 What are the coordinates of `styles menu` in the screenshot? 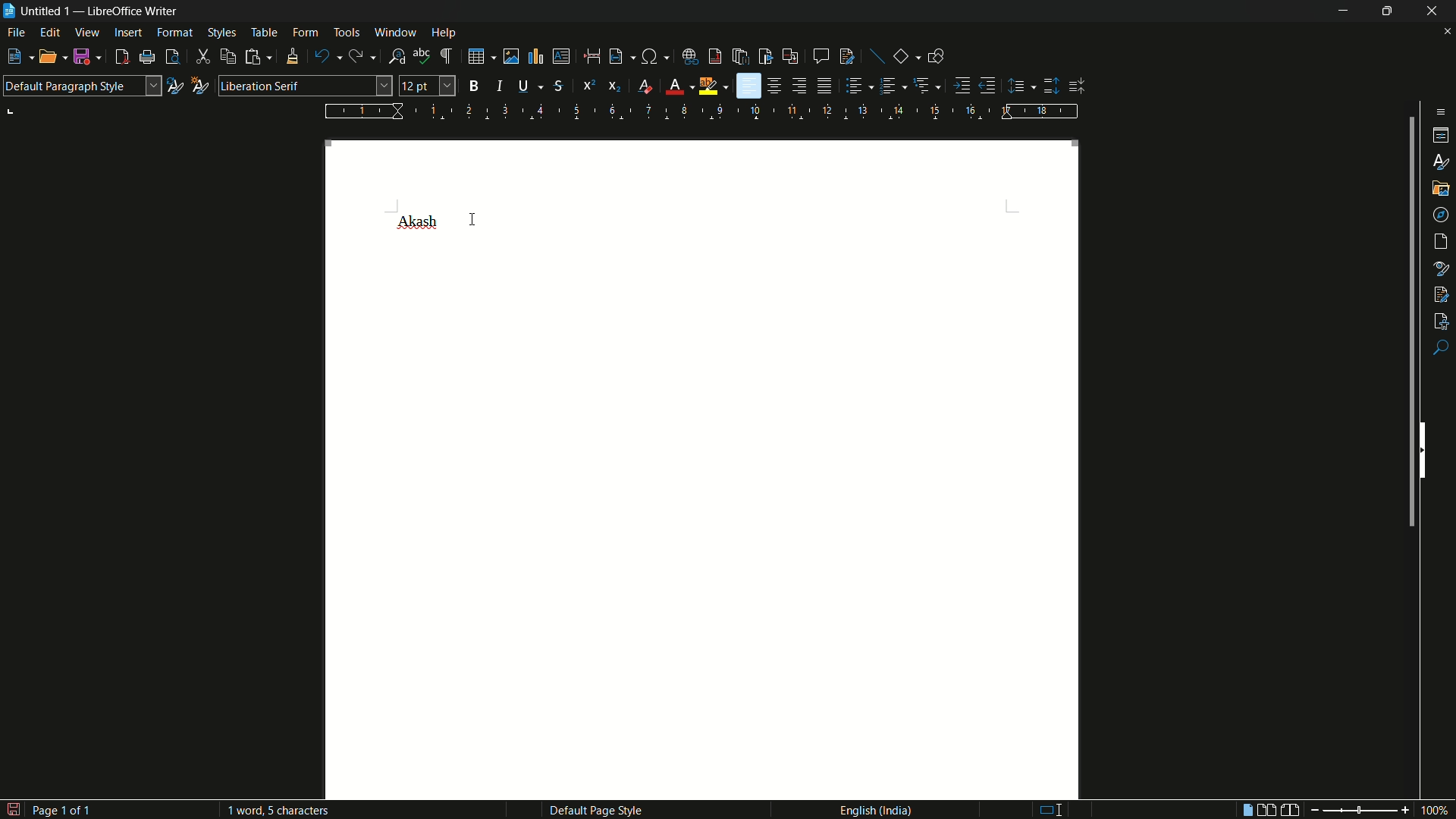 It's located at (221, 33).